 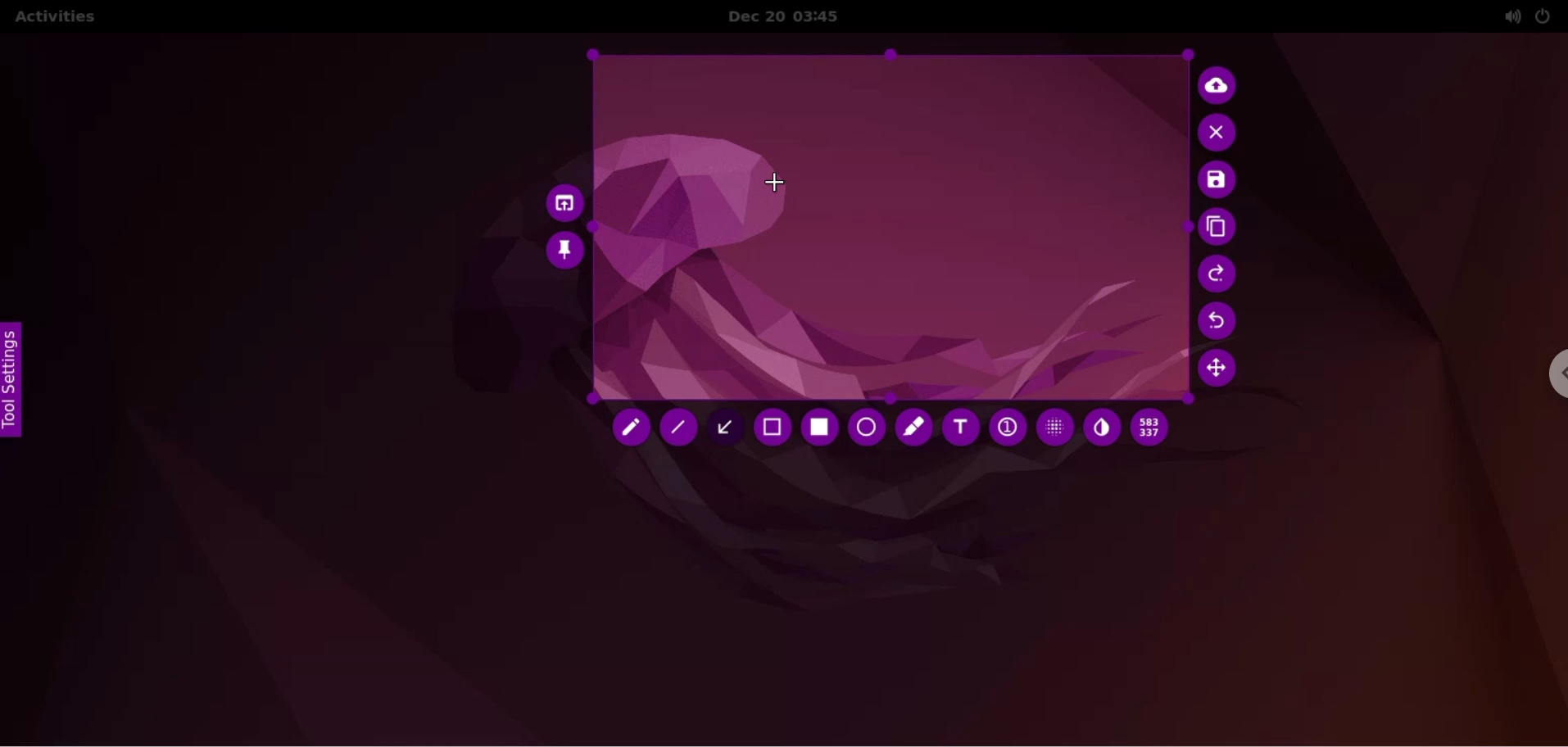 What do you see at coordinates (776, 183) in the screenshot?
I see `cursor` at bounding box center [776, 183].